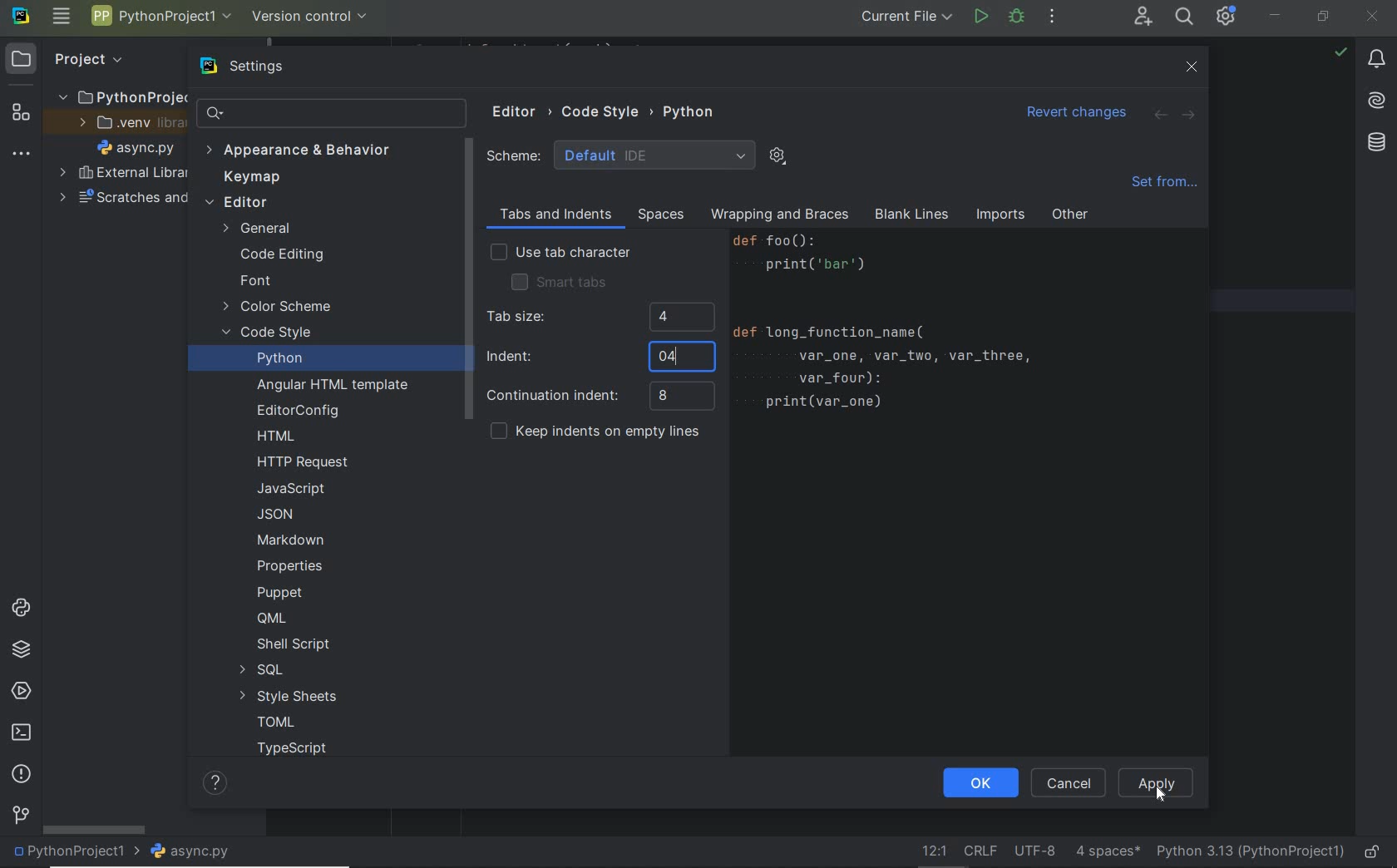  I want to click on services, so click(20, 689).